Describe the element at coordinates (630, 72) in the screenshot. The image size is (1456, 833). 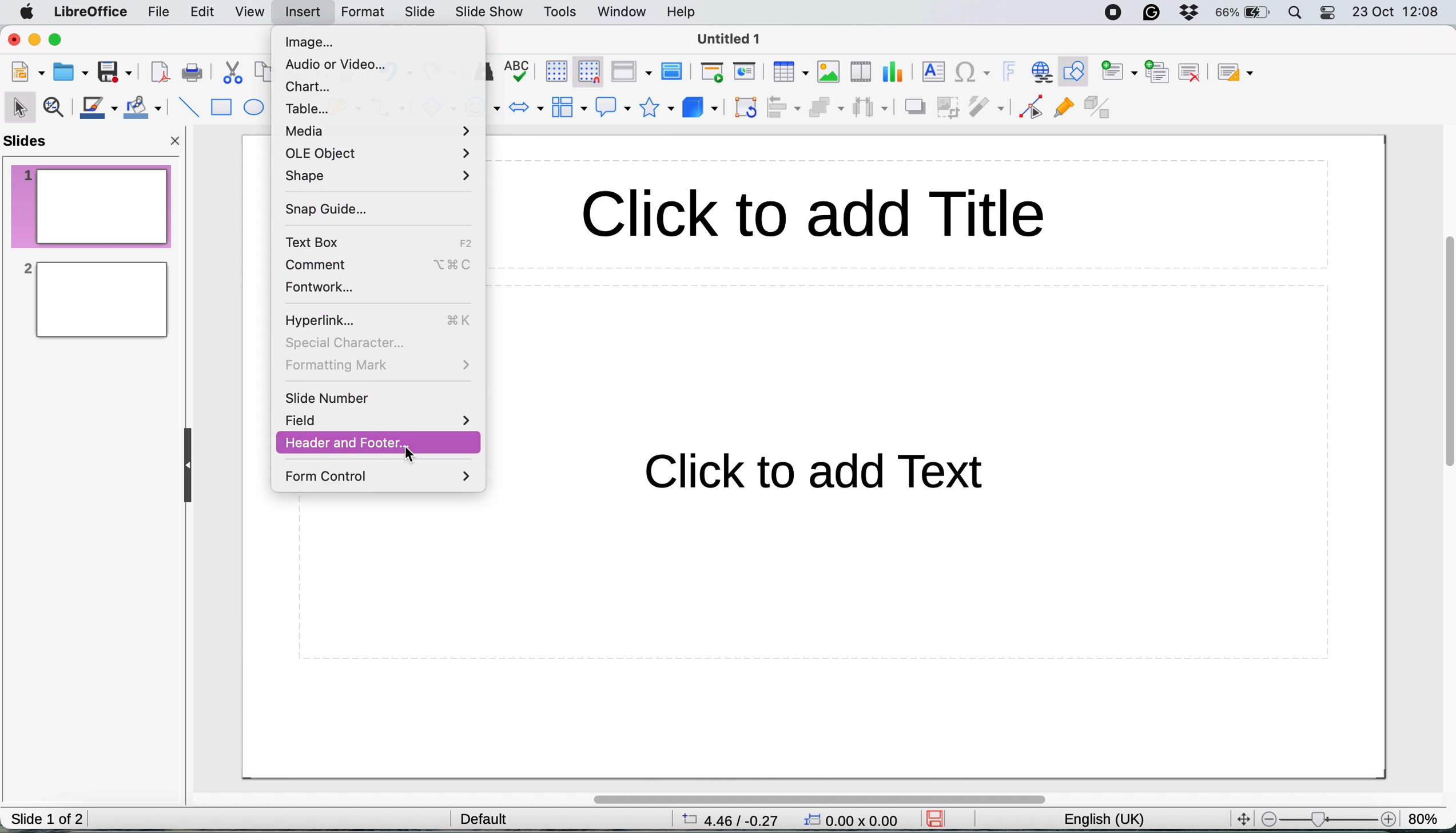
I see `display views` at that location.